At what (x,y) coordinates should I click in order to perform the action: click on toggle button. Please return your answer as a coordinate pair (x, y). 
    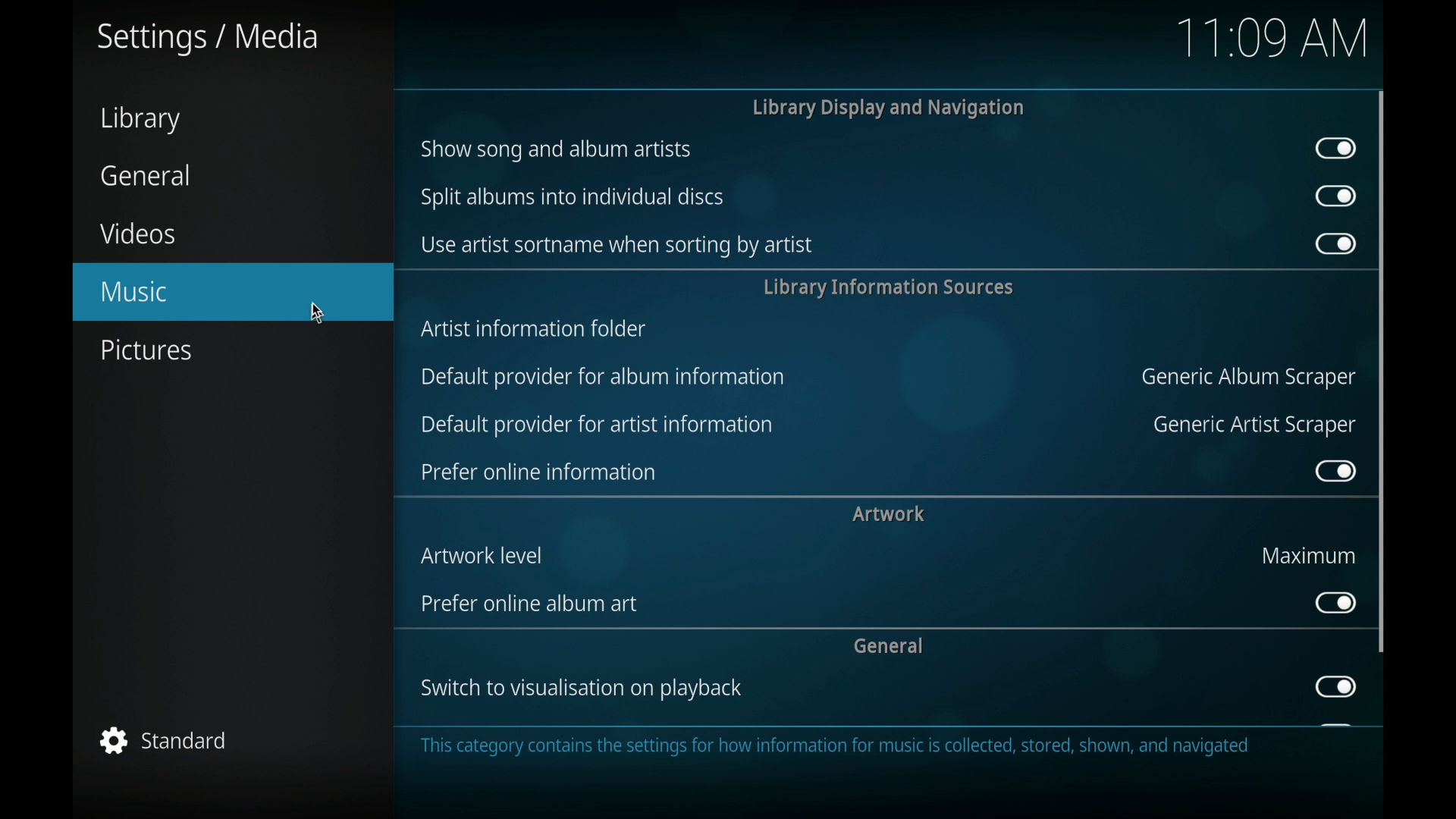
    Looking at the image, I should click on (1336, 148).